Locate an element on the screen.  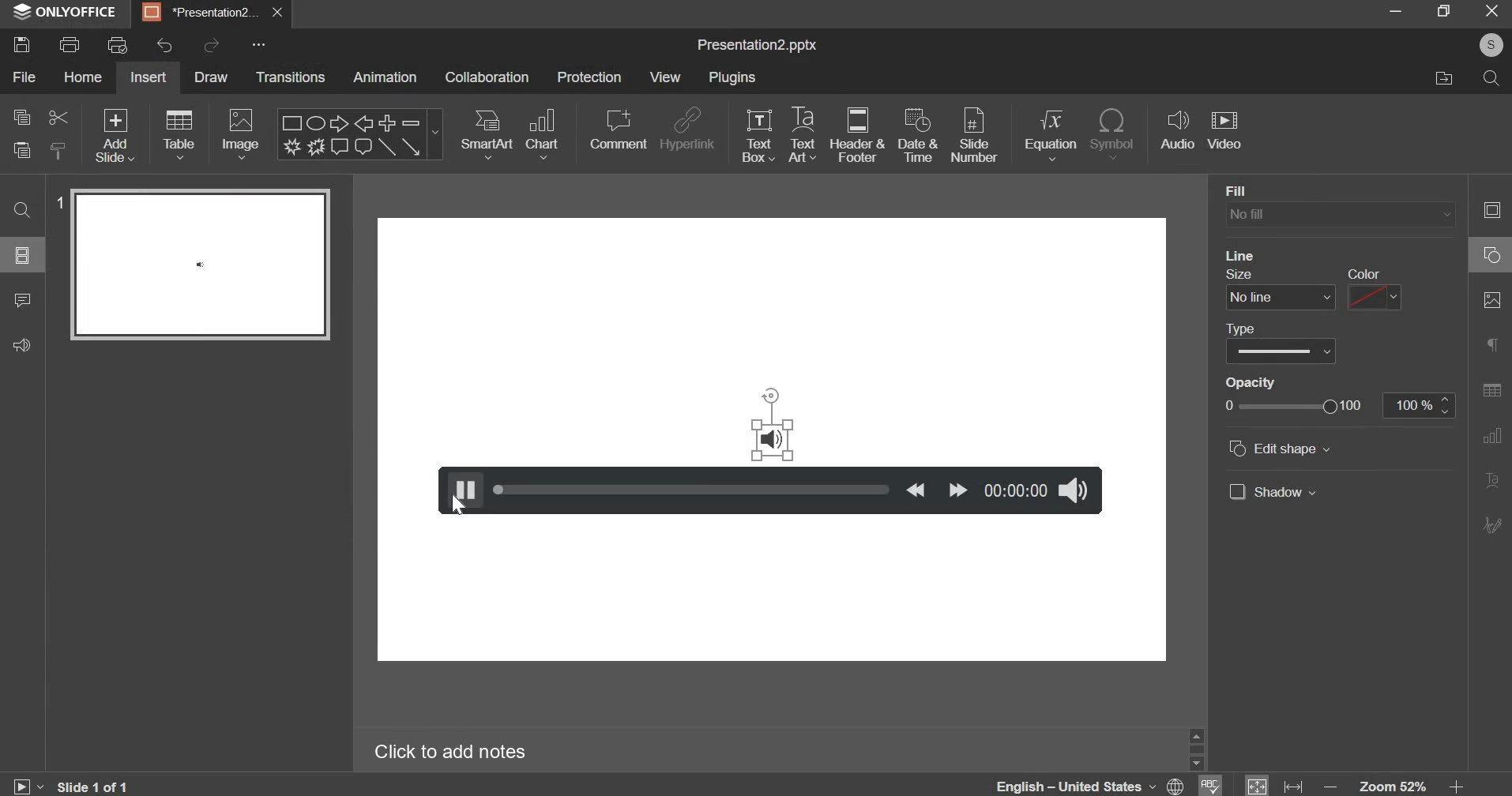
view is located at coordinates (665, 76).